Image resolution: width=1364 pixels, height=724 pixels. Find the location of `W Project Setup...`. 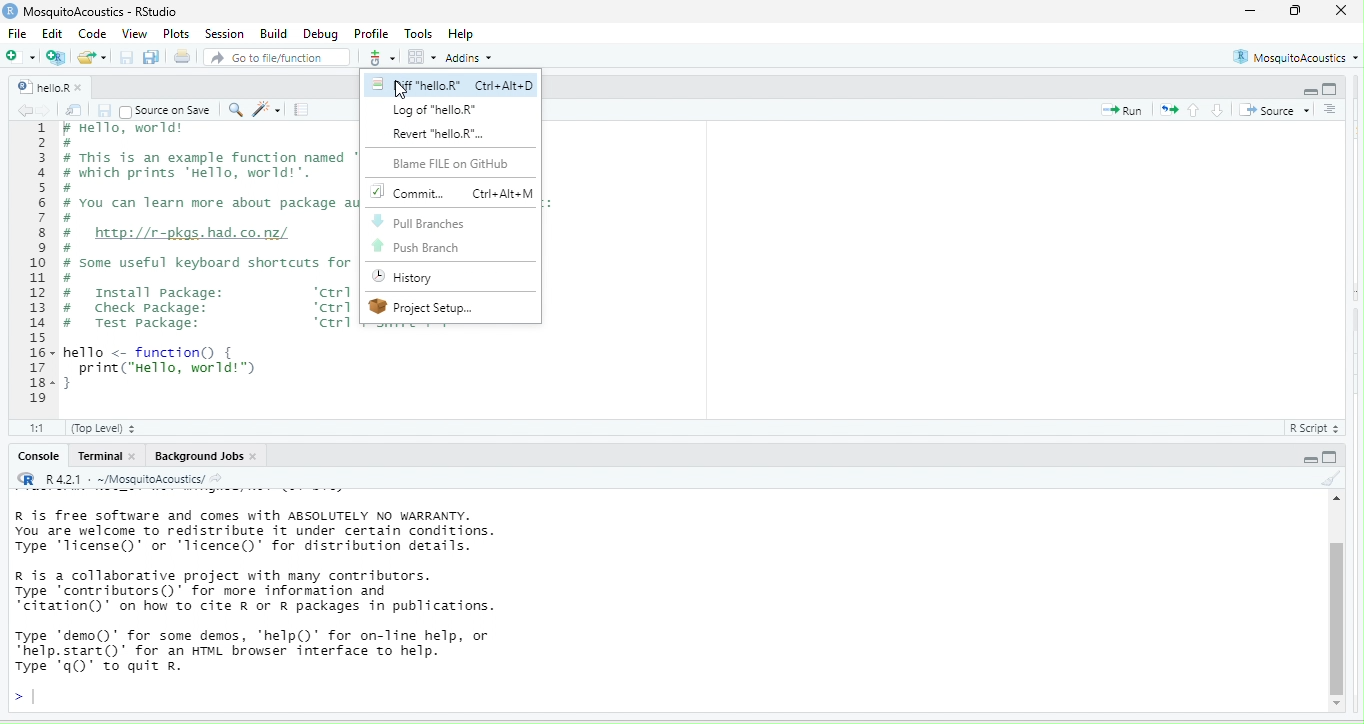

W Project Setup... is located at coordinates (429, 308).